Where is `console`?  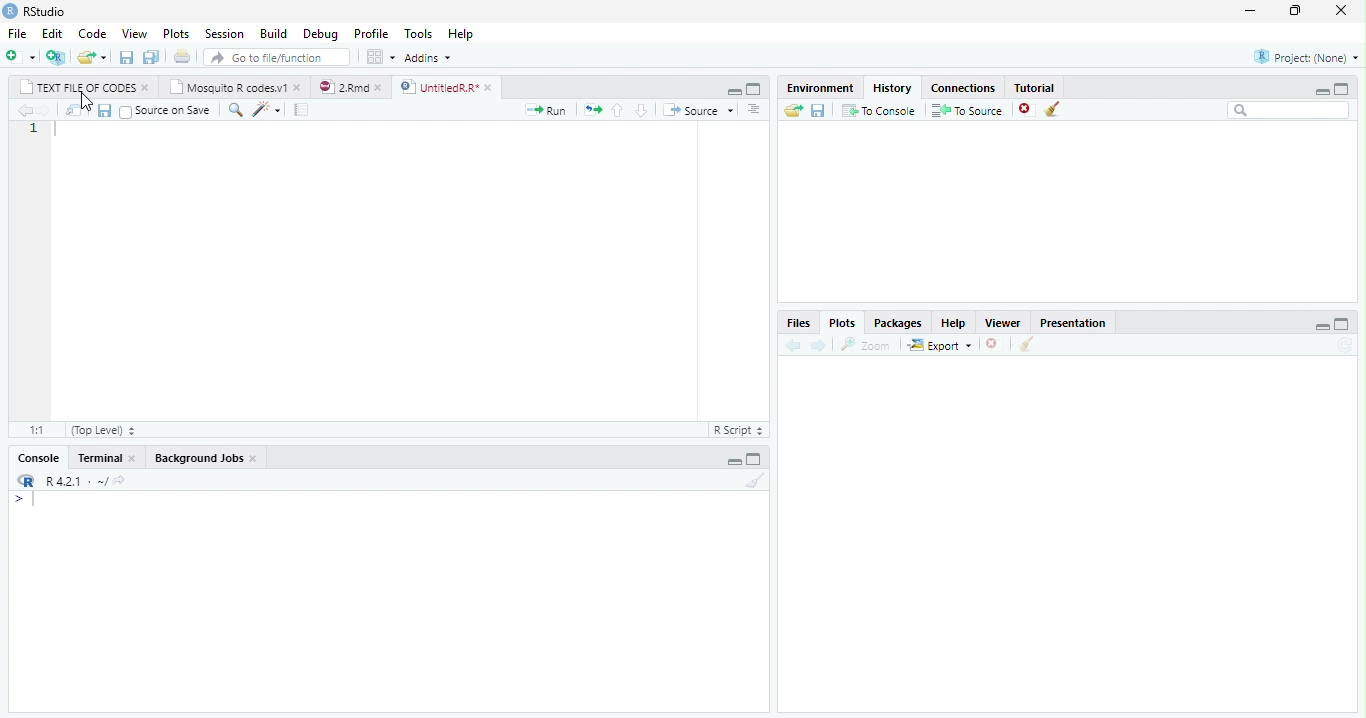
console is located at coordinates (38, 458).